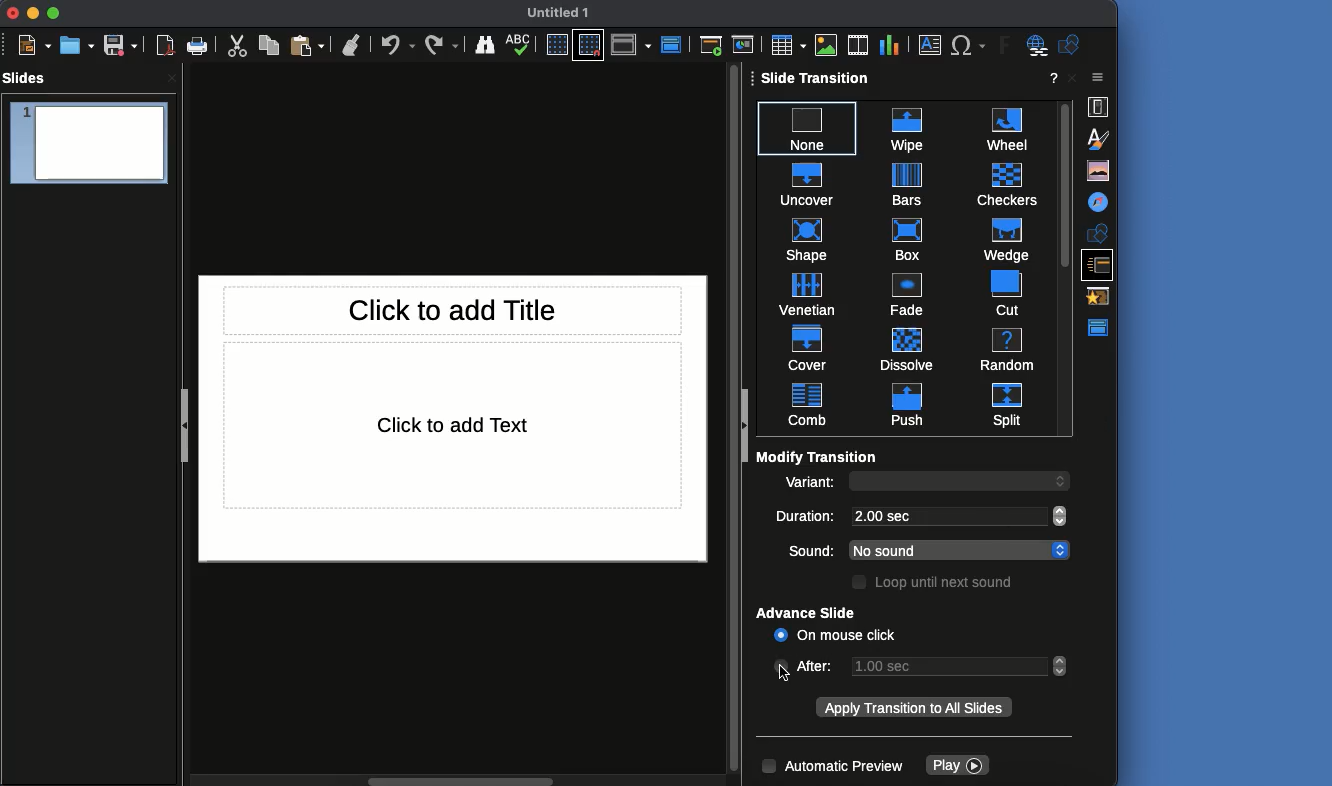 This screenshot has width=1332, height=786. I want to click on 2.00 sec, so click(947, 515).